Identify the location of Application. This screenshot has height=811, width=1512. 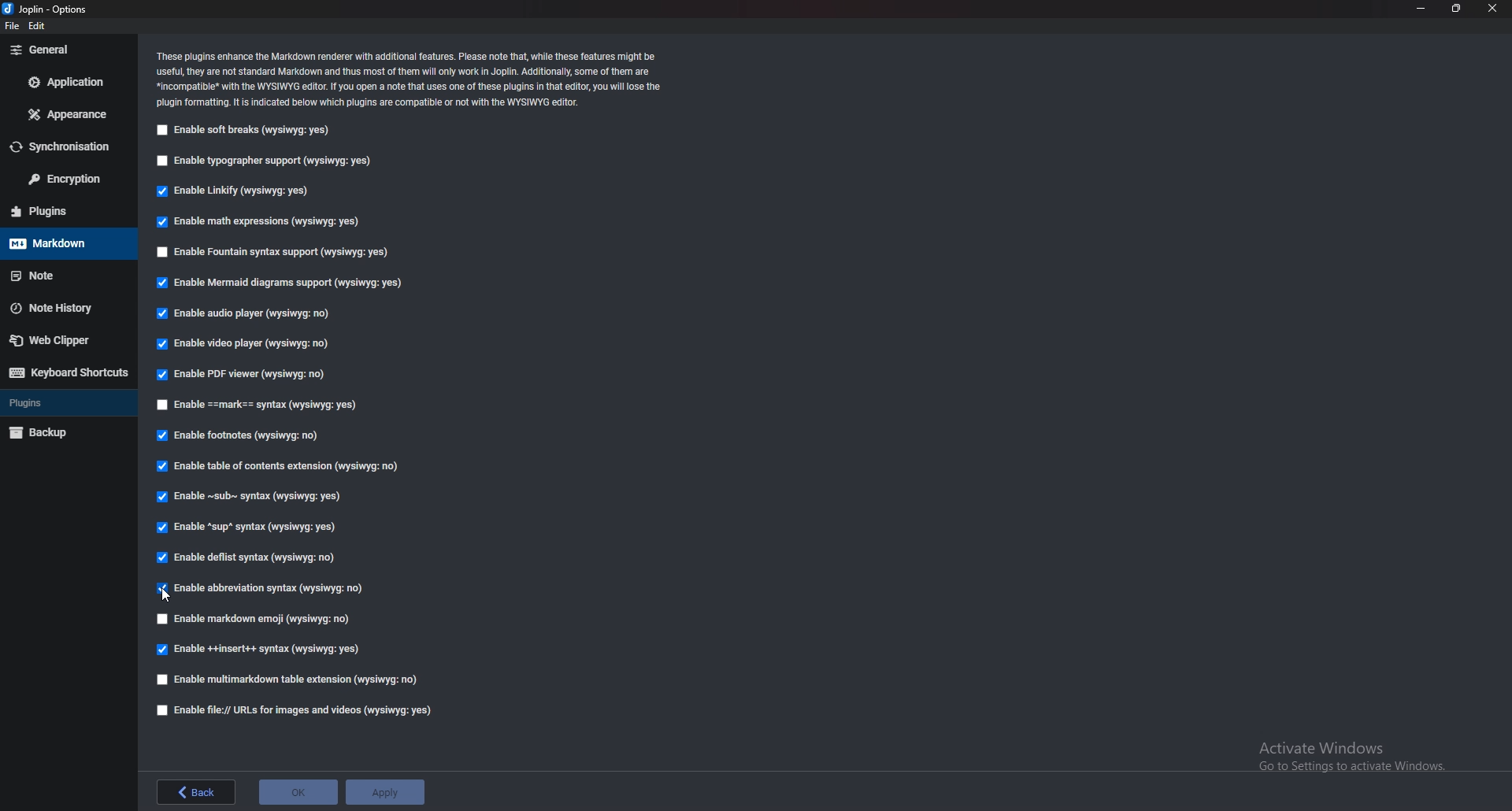
(68, 81).